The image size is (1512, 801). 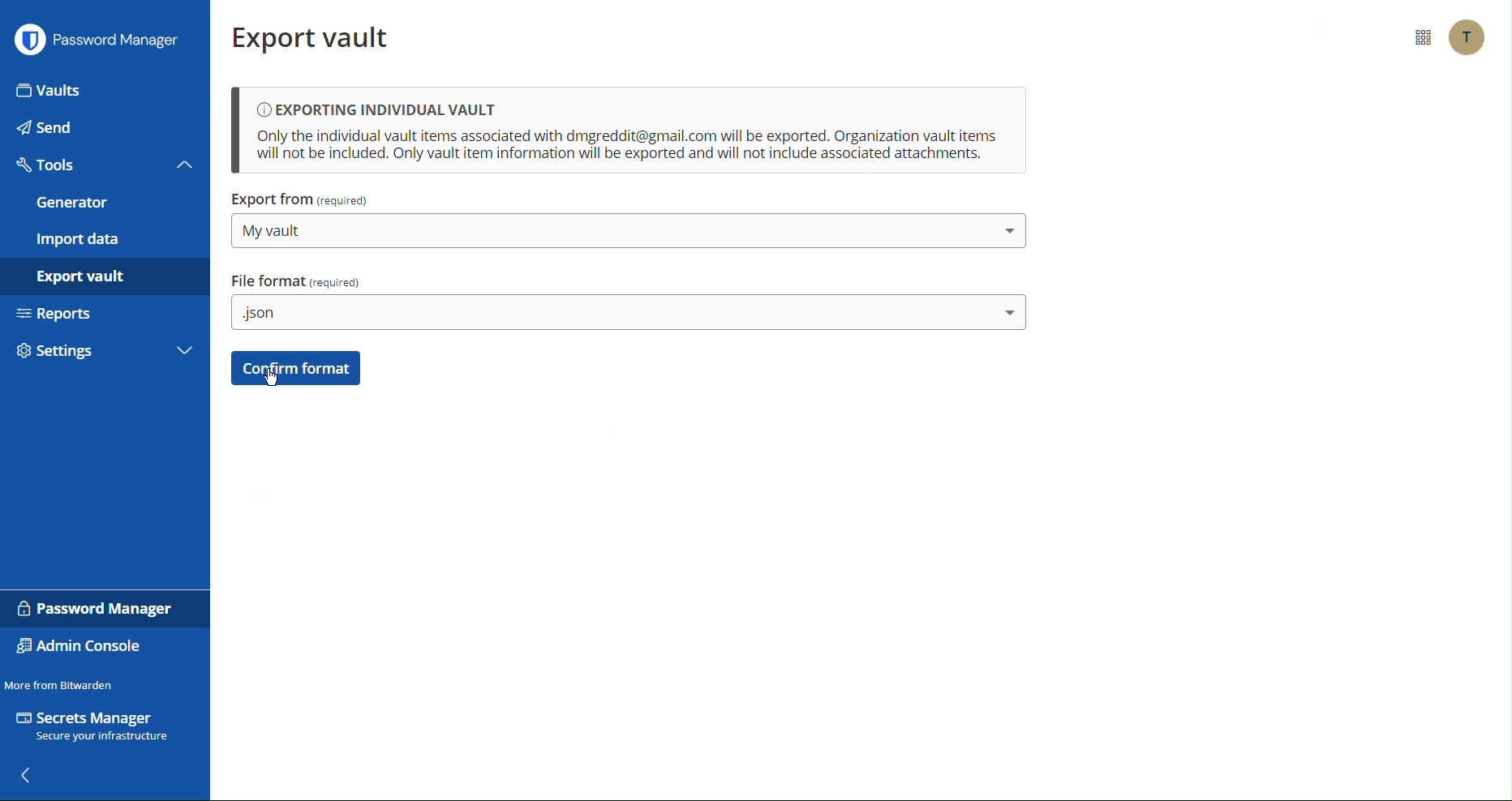 I want to click on Confirm Format, so click(x=298, y=368).